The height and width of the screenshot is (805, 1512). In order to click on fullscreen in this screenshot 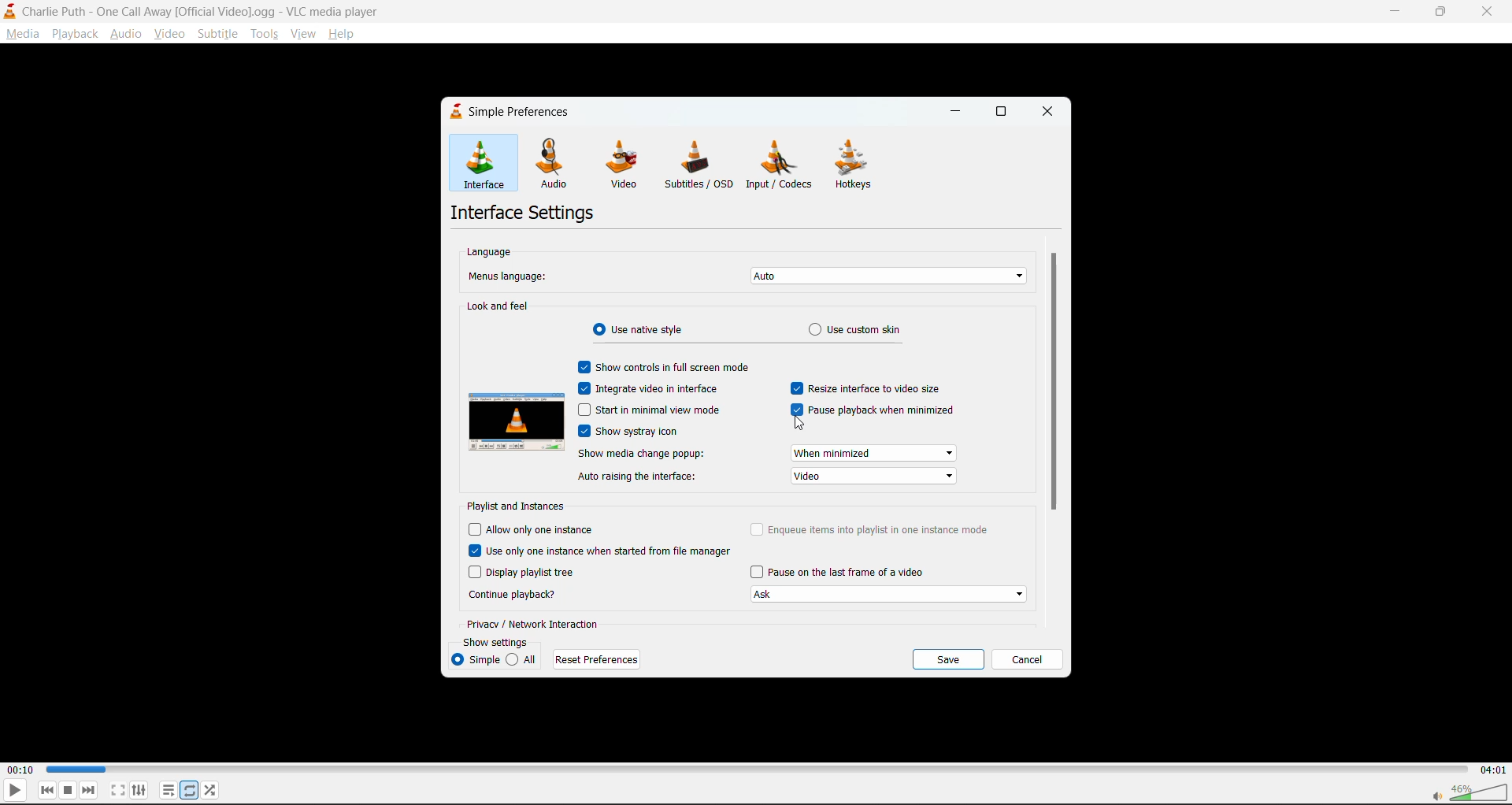, I will do `click(116, 791)`.